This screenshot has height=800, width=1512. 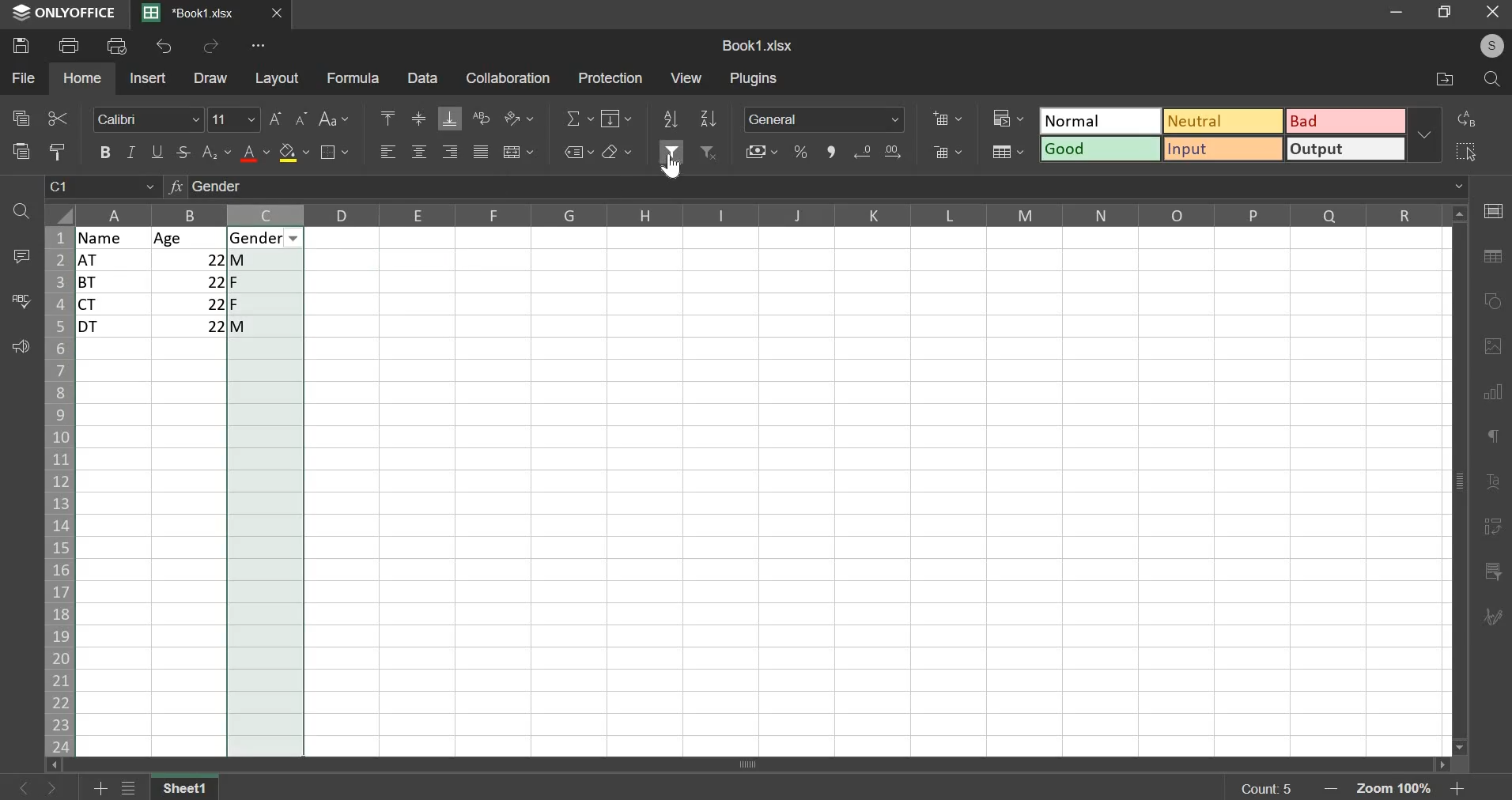 I want to click on zoom kevel, so click(x=1397, y=790).